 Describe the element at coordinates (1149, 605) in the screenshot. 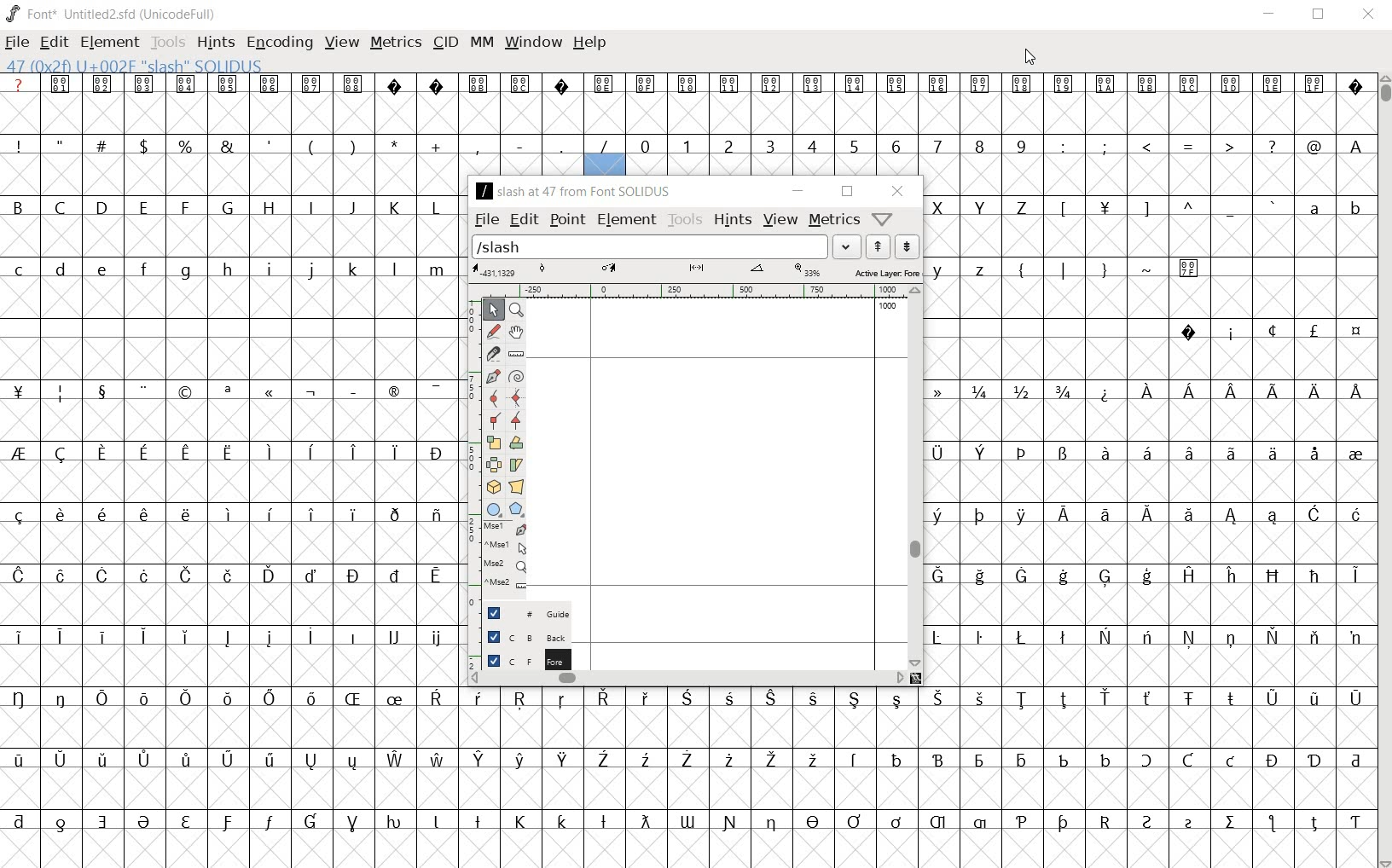

I see `empty cells` at that location.